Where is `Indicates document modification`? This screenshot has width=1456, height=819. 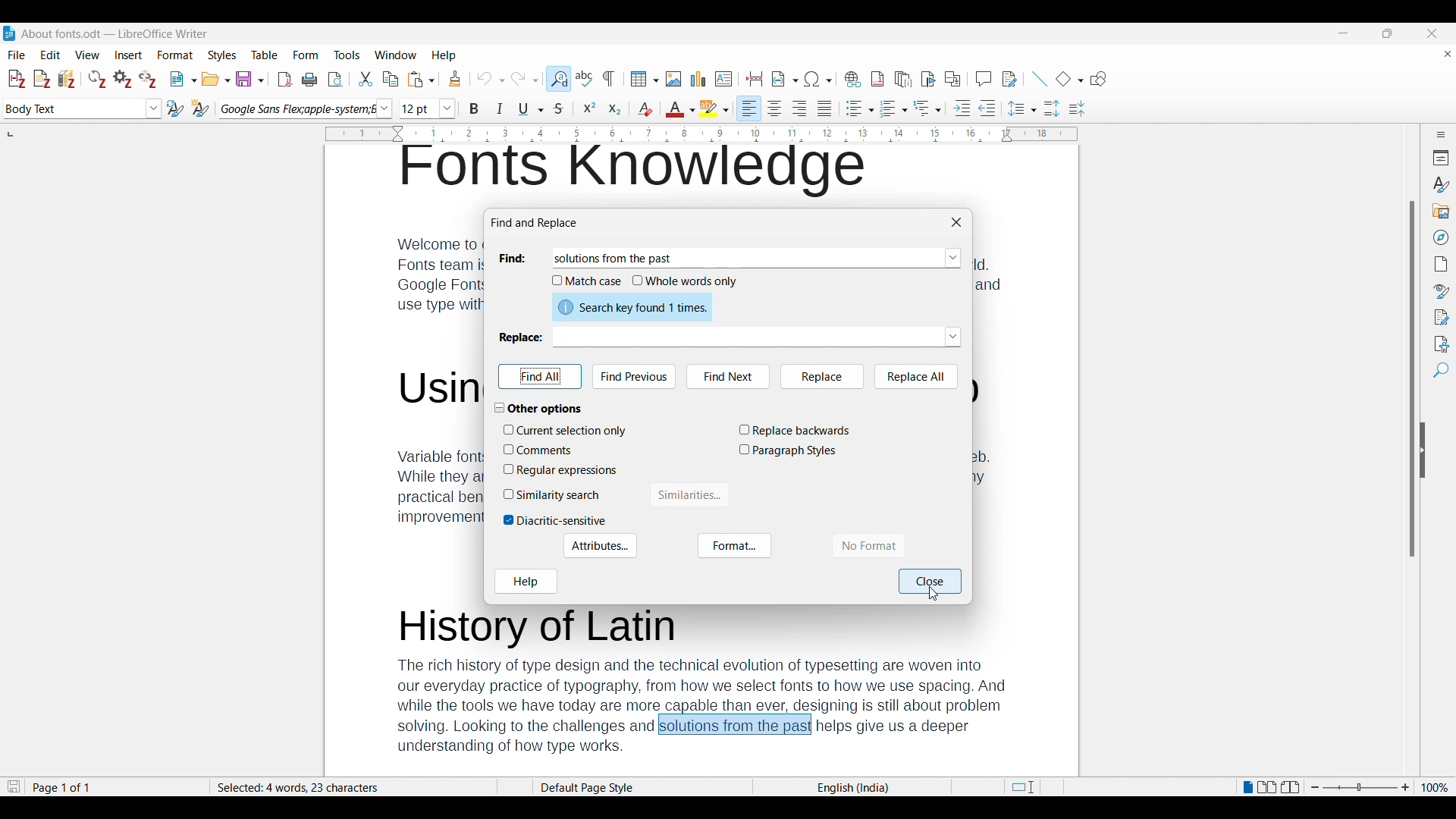 Indicates document modification is located at coordinates (14, 787).